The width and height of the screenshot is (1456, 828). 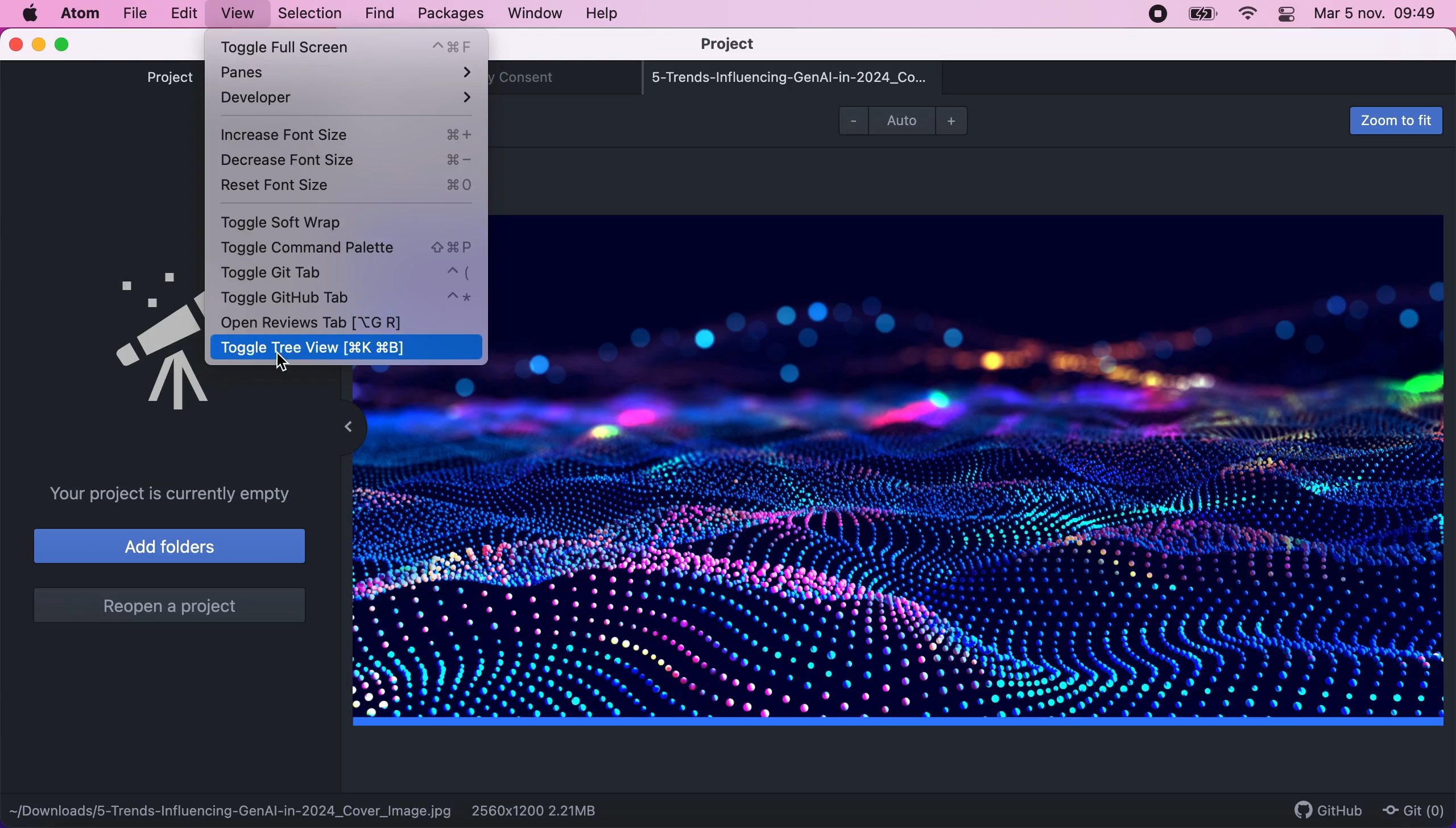 I want to click on telemetry consent, so click(x=566, y=78).